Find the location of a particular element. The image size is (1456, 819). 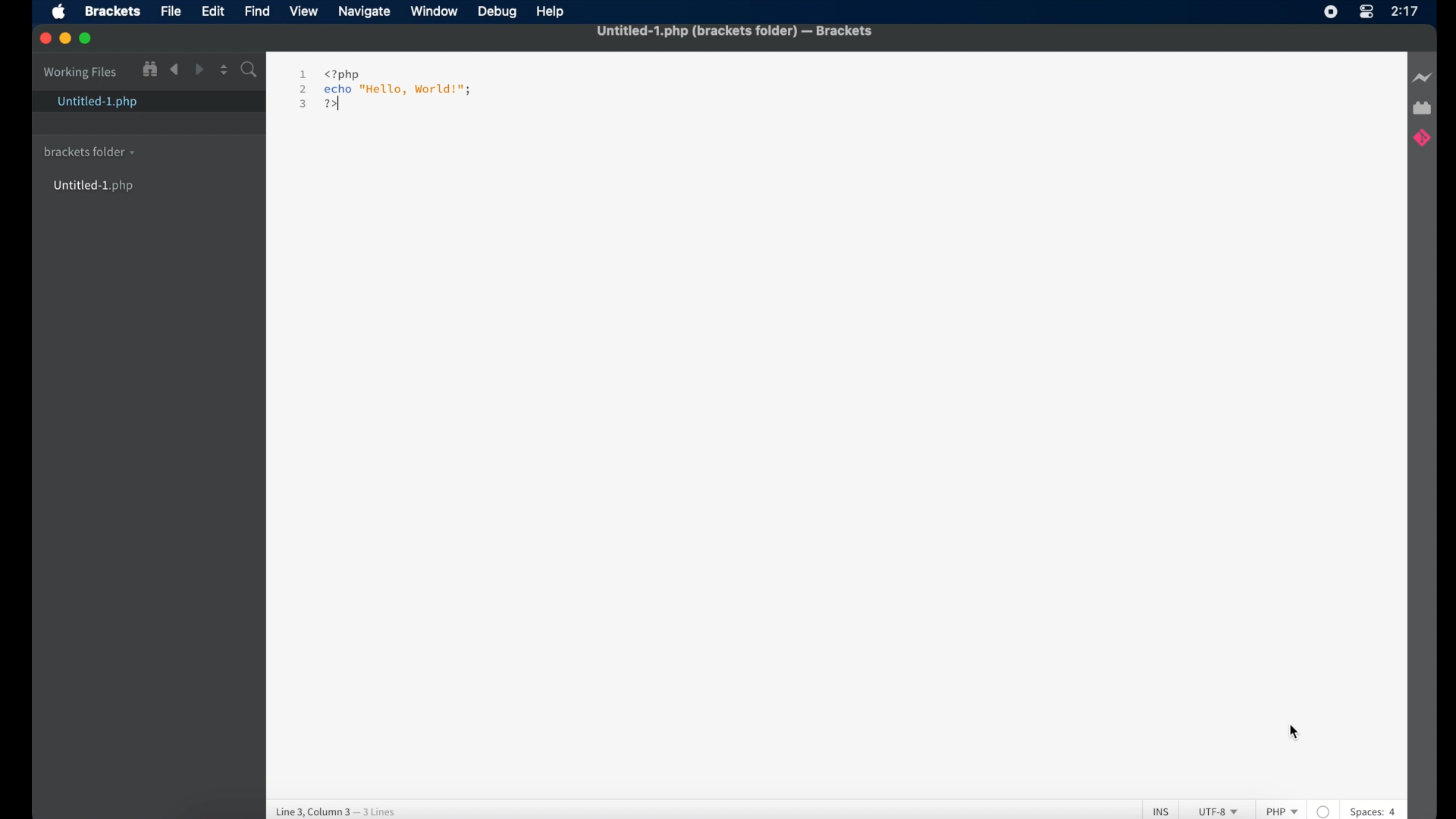

close is located at coordinates (45, 38).